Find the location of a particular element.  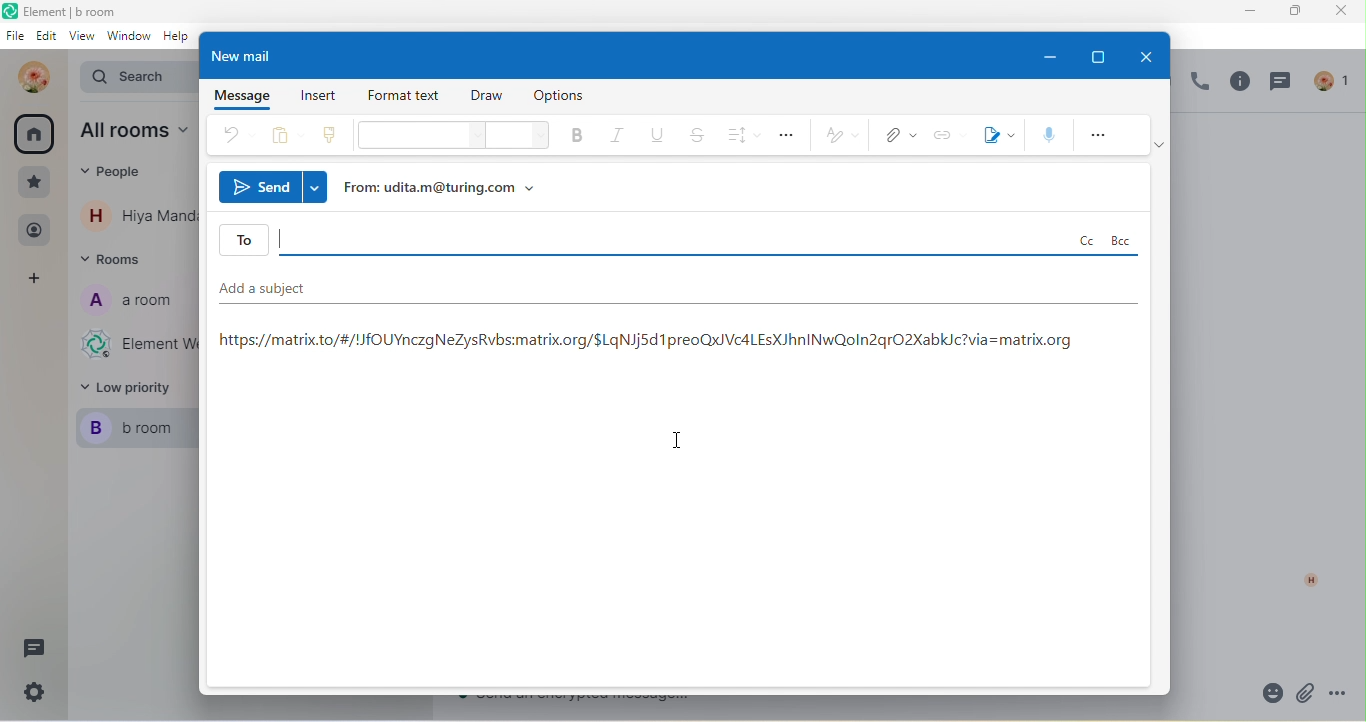

new mail is located at coordinates (252, 55).